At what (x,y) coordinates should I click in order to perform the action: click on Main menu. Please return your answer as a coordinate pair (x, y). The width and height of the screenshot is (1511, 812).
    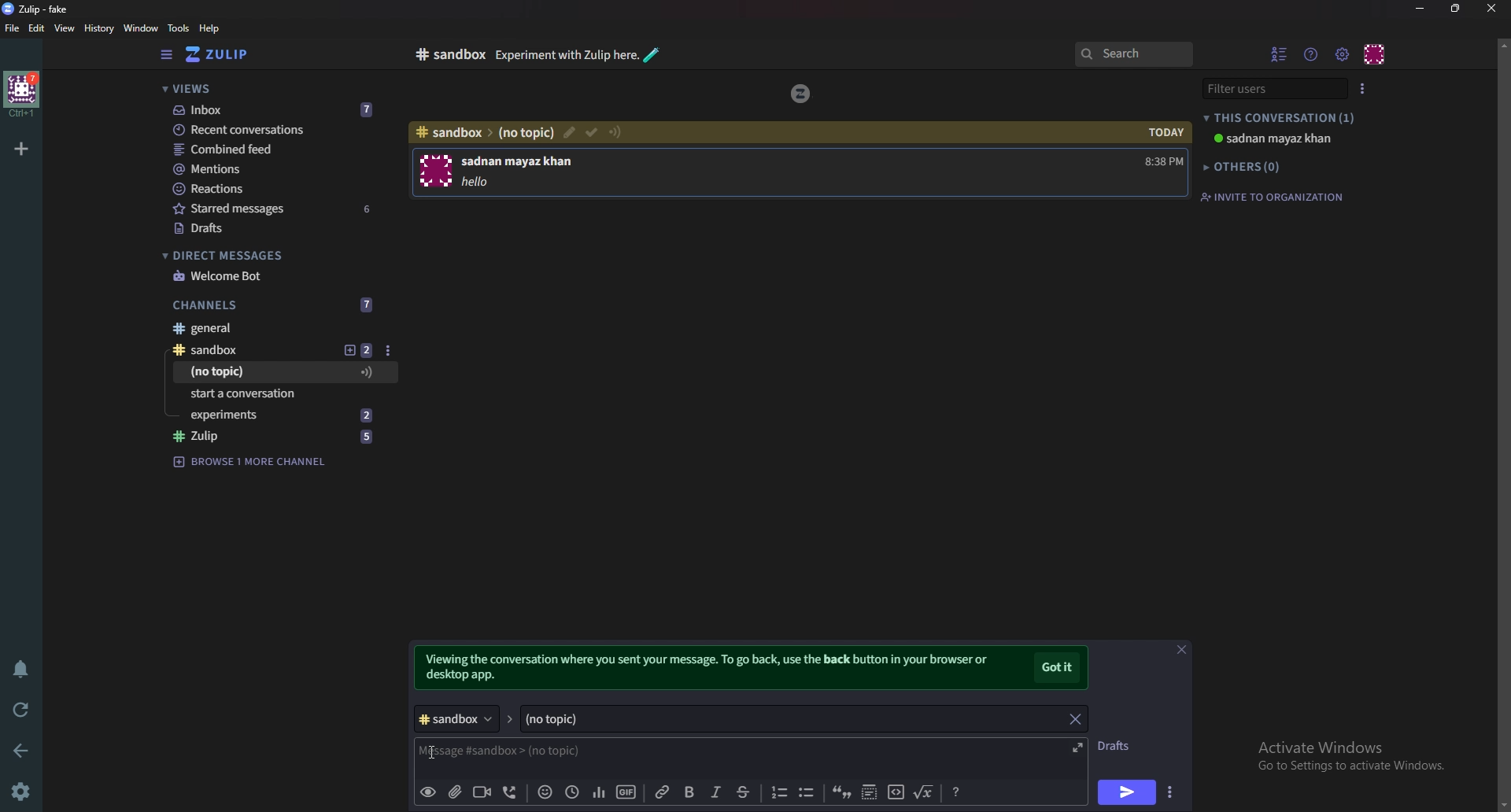
    Looking at the image, I should click on (1343, 53).